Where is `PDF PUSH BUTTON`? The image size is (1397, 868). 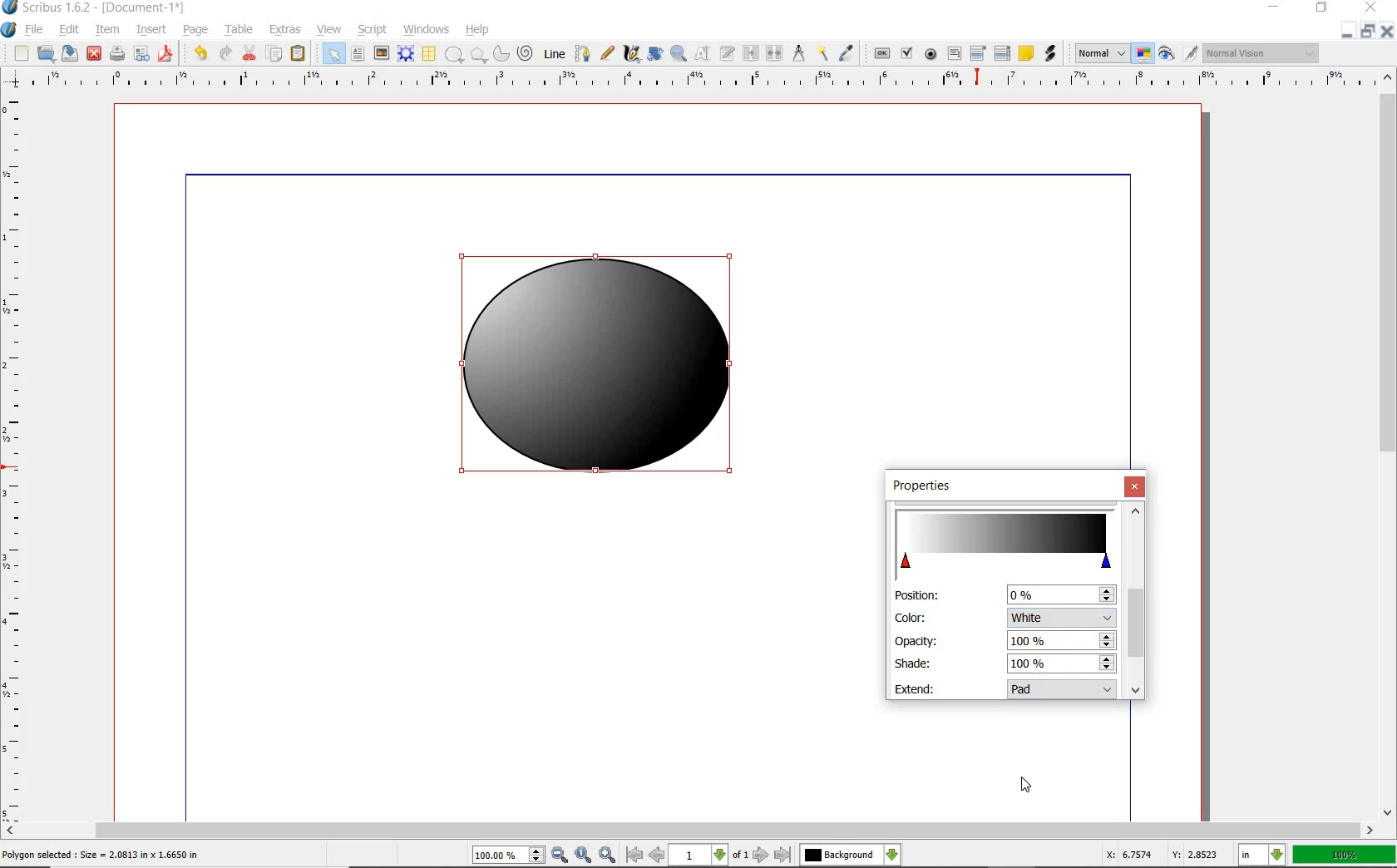
PDF PUSH BUTTON is located at coordinates (881, 54).